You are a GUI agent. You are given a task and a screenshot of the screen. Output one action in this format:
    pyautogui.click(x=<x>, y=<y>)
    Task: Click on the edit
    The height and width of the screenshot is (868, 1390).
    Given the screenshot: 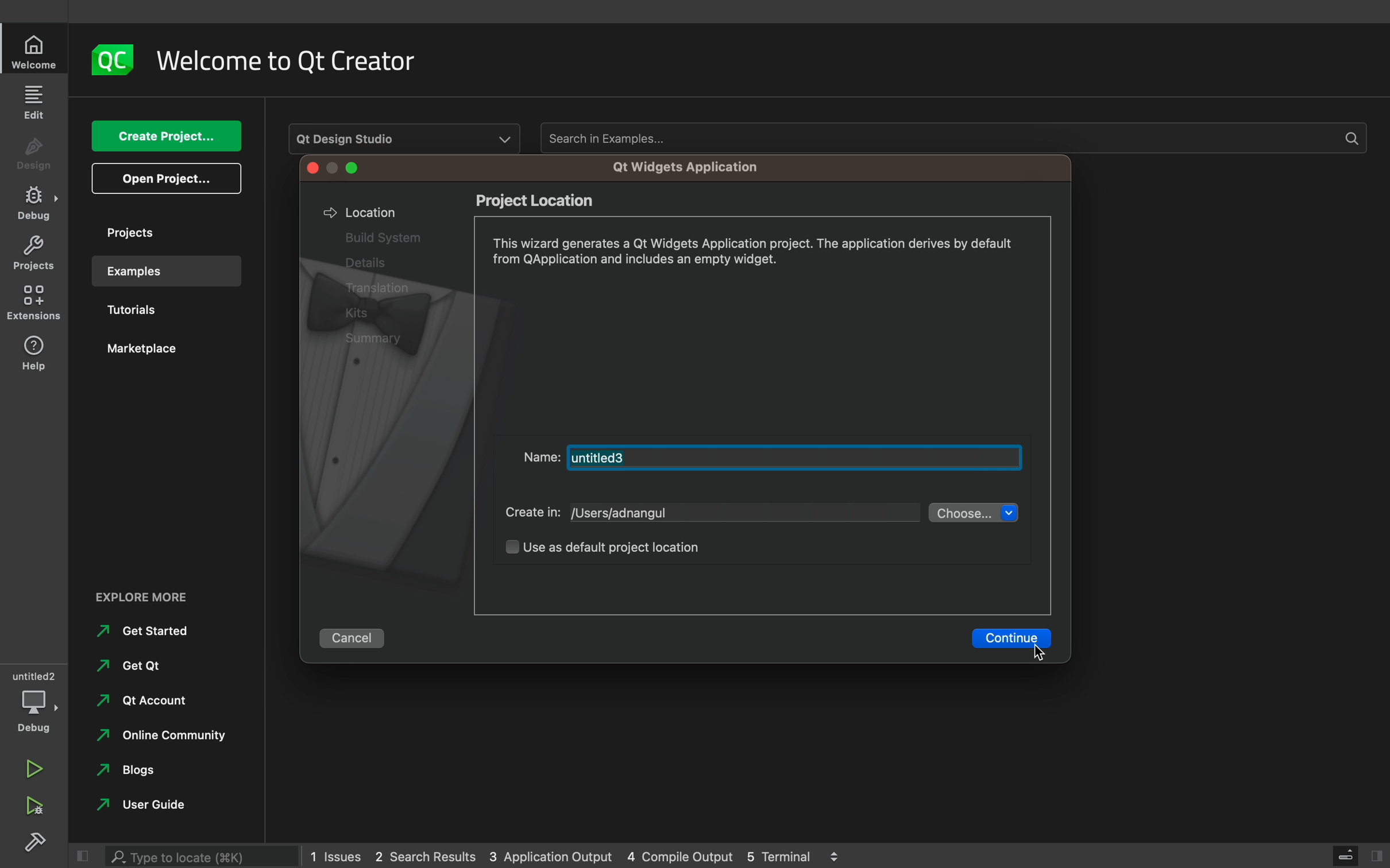 What is the action you would take?
    pyautogui.click(x=36, y=101)
    